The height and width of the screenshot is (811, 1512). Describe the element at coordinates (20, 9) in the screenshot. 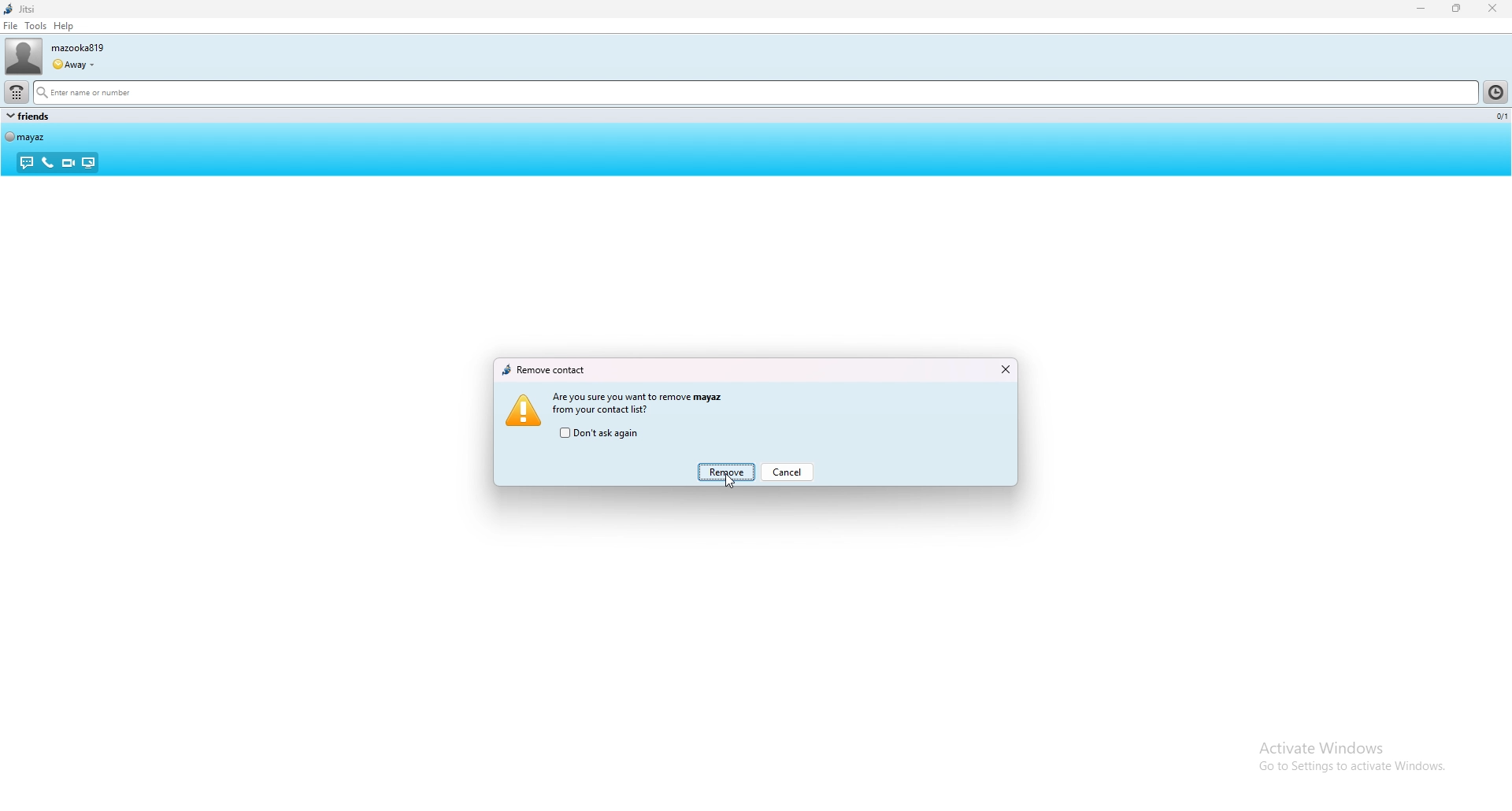

I see `jitsi` at that location.